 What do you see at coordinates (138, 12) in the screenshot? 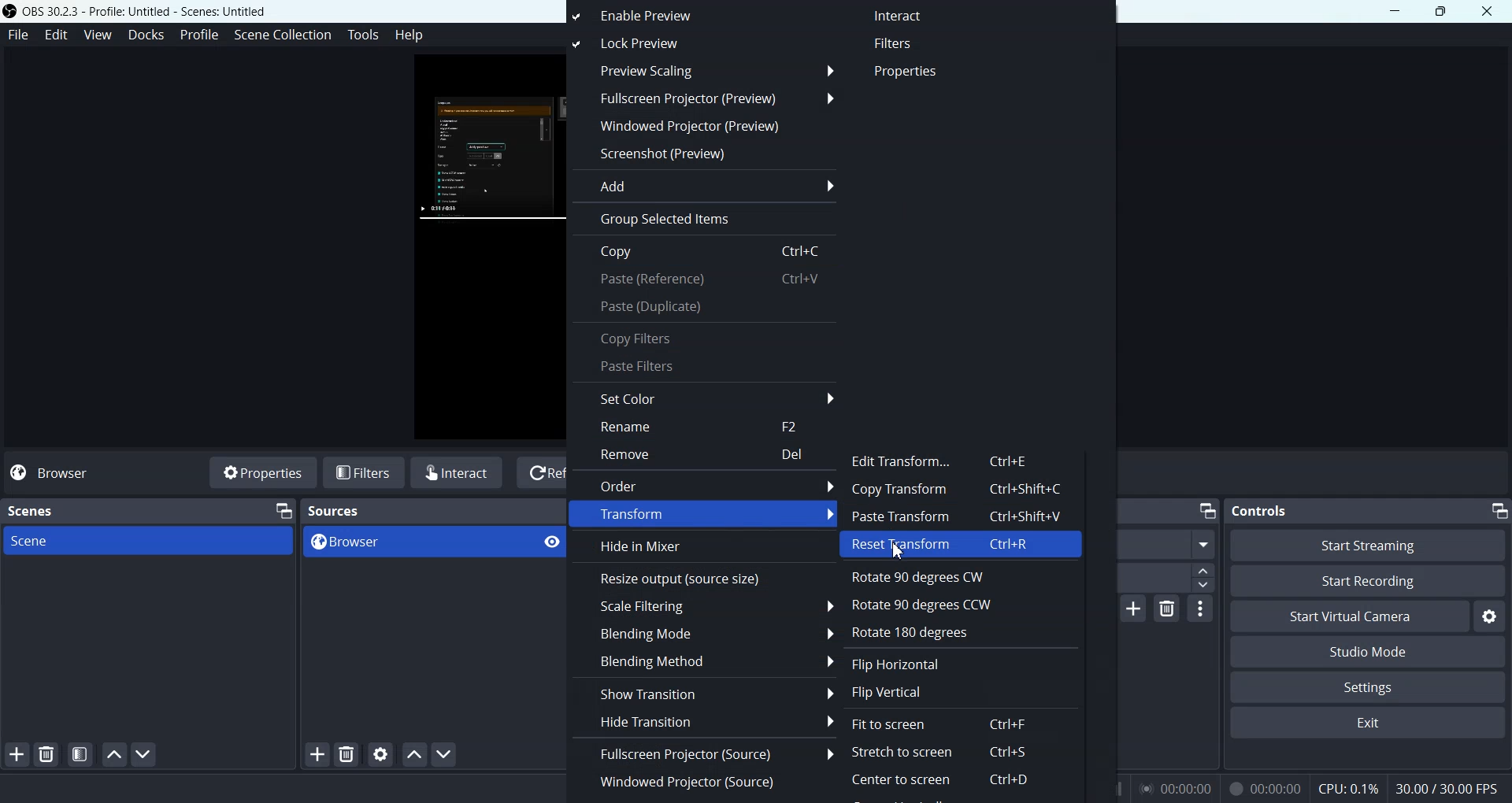
I see `OBS 30.2.3 - Profile: Untitled - Scenes: Untitled` at bounding box center [138, 12].